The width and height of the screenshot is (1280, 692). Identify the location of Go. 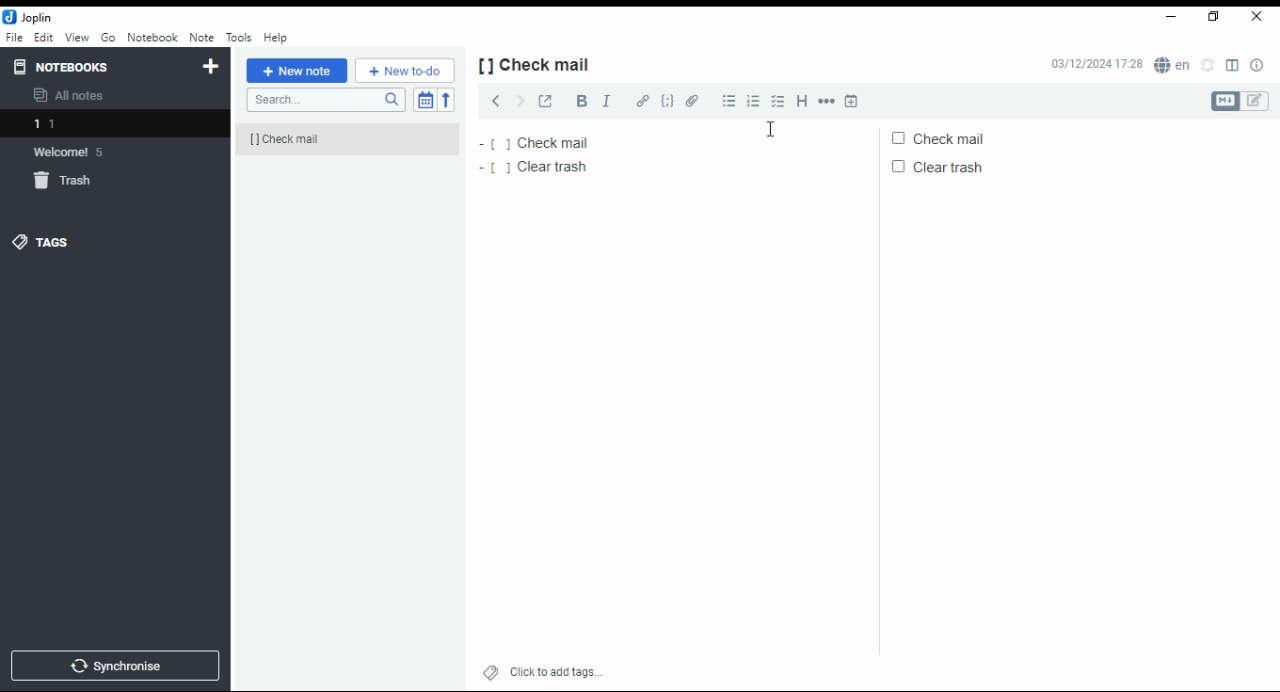
(108, 36).